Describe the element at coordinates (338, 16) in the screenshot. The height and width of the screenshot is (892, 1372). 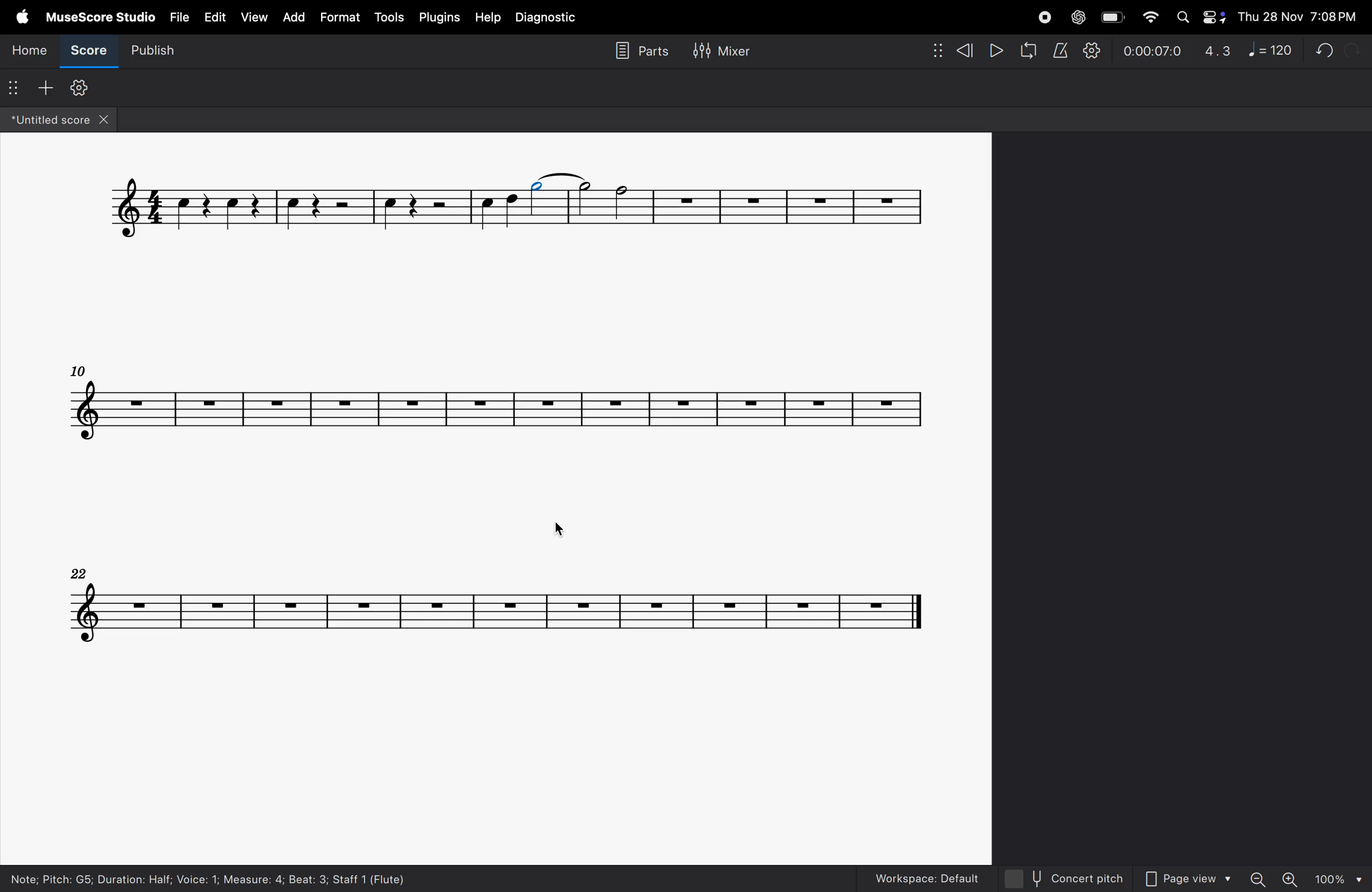
I see `format` at that location.